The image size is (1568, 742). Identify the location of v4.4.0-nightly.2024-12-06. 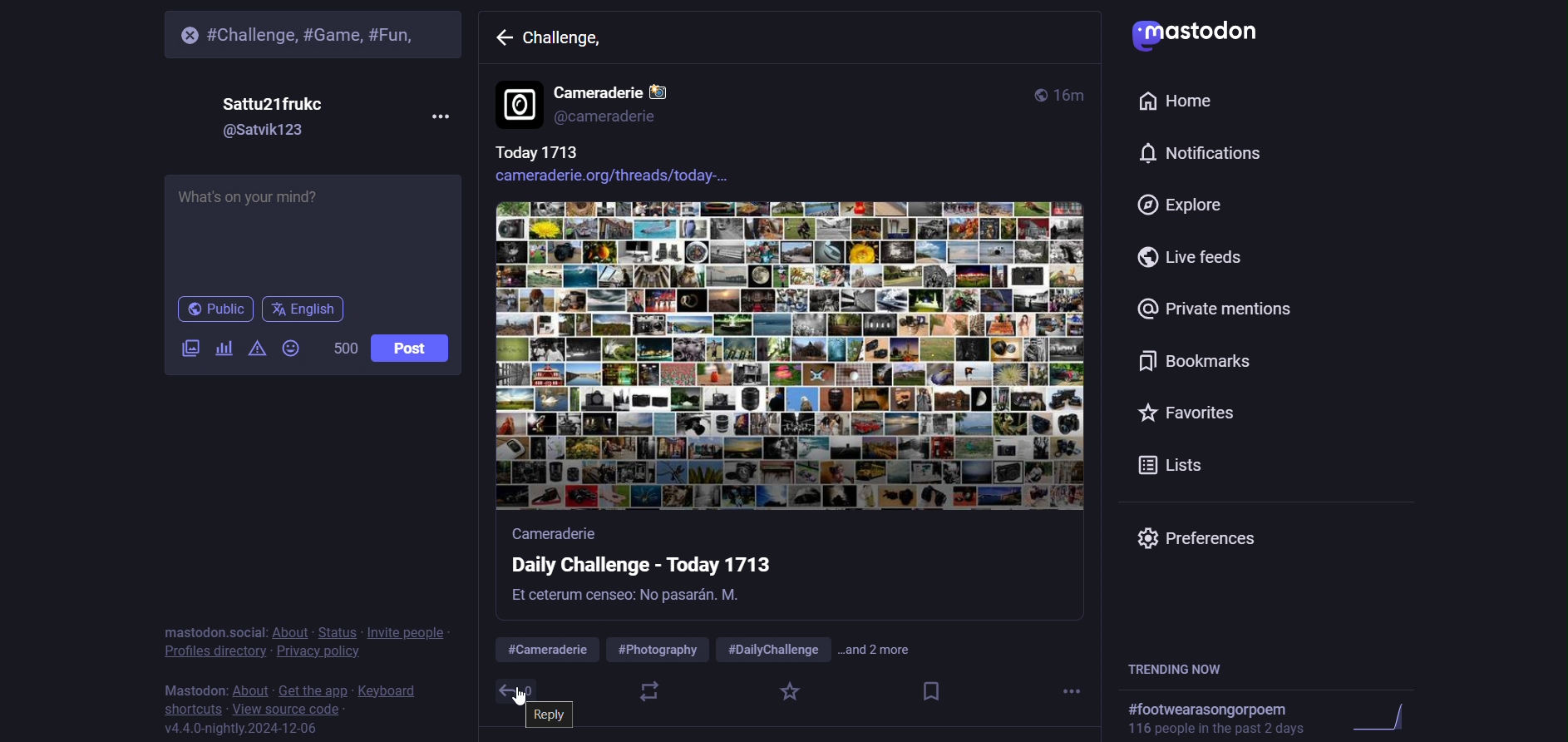
(261, 729).